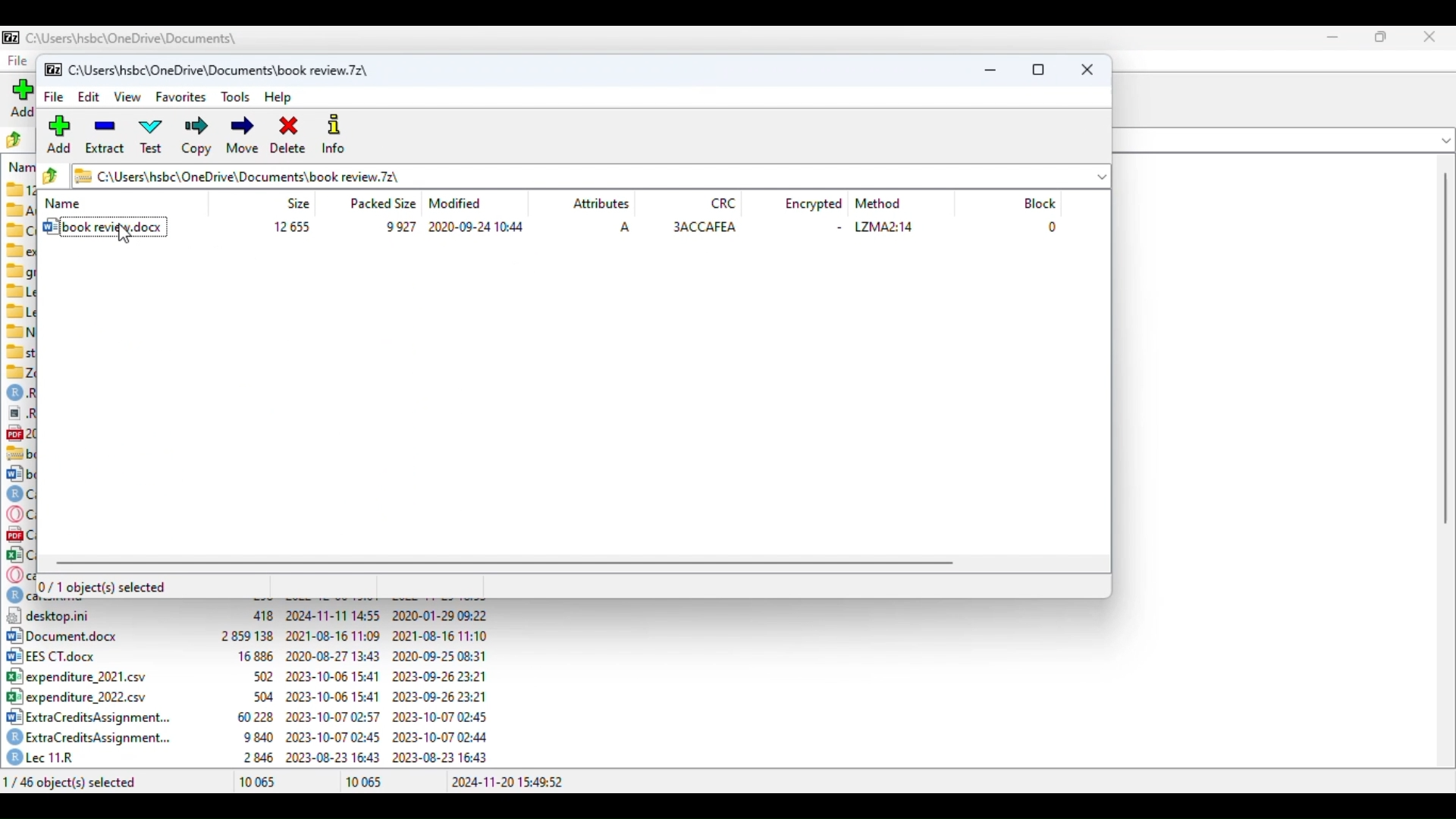  What do you see at coordinates (1086, 70) in the screenshot?
I see `close` at bounding box center [1086, 70].